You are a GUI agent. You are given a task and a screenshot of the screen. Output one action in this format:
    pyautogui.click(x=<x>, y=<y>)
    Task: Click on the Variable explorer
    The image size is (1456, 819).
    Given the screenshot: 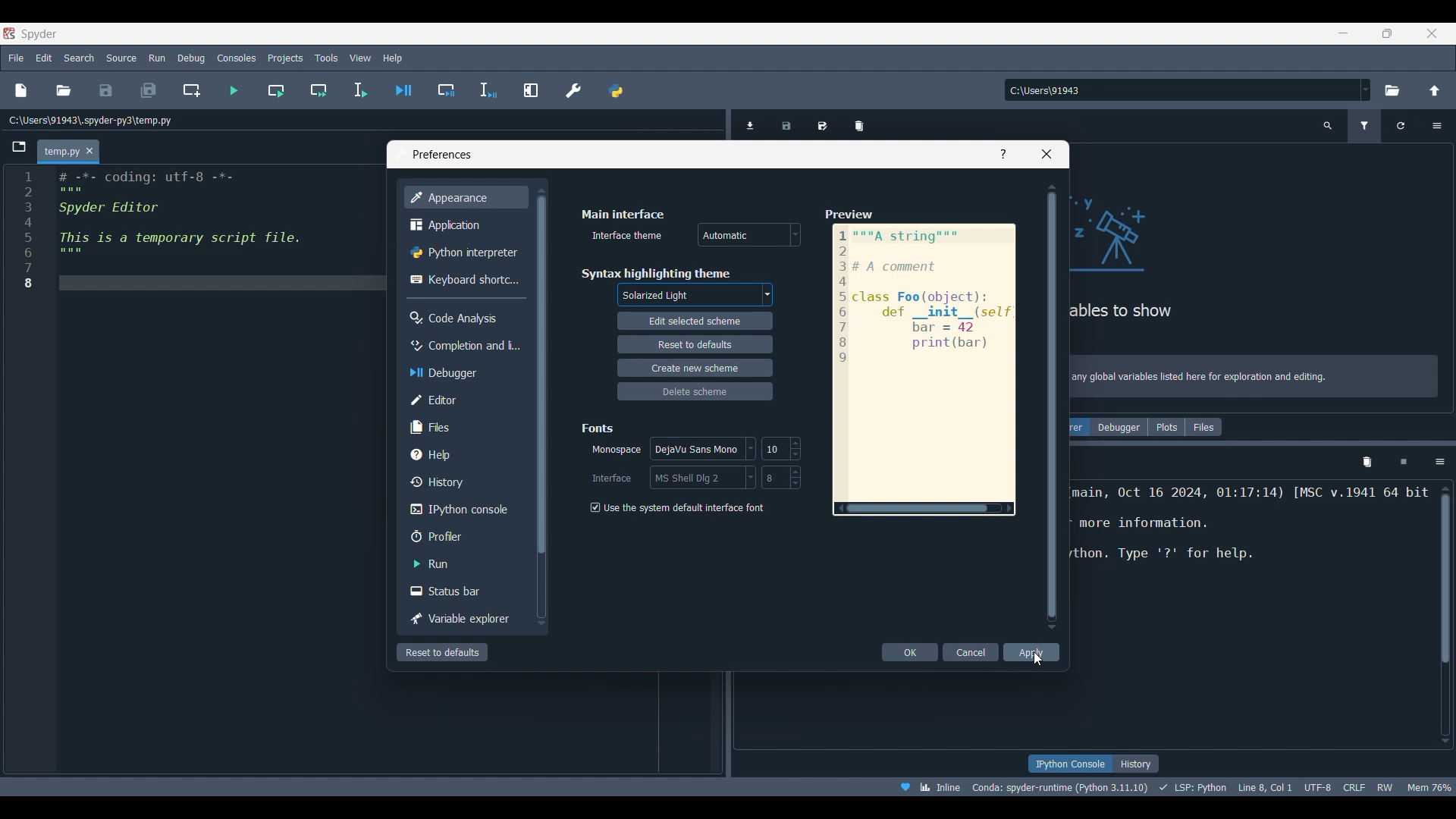 What is the action you would take?
    pyautogui.click(x=1079, y=427)
    